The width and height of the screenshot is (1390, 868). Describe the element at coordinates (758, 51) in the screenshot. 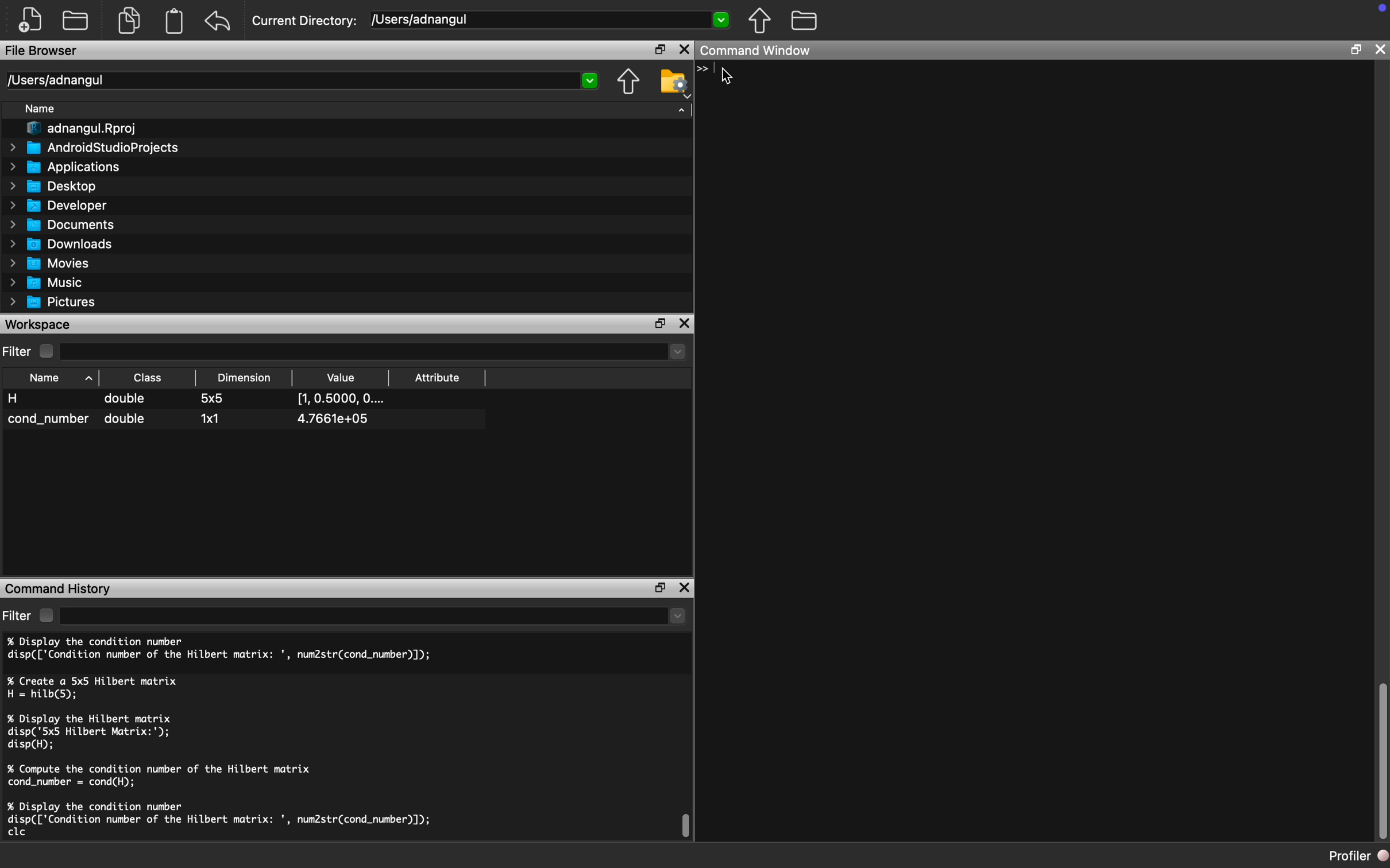

I see `Command Window` at that location.